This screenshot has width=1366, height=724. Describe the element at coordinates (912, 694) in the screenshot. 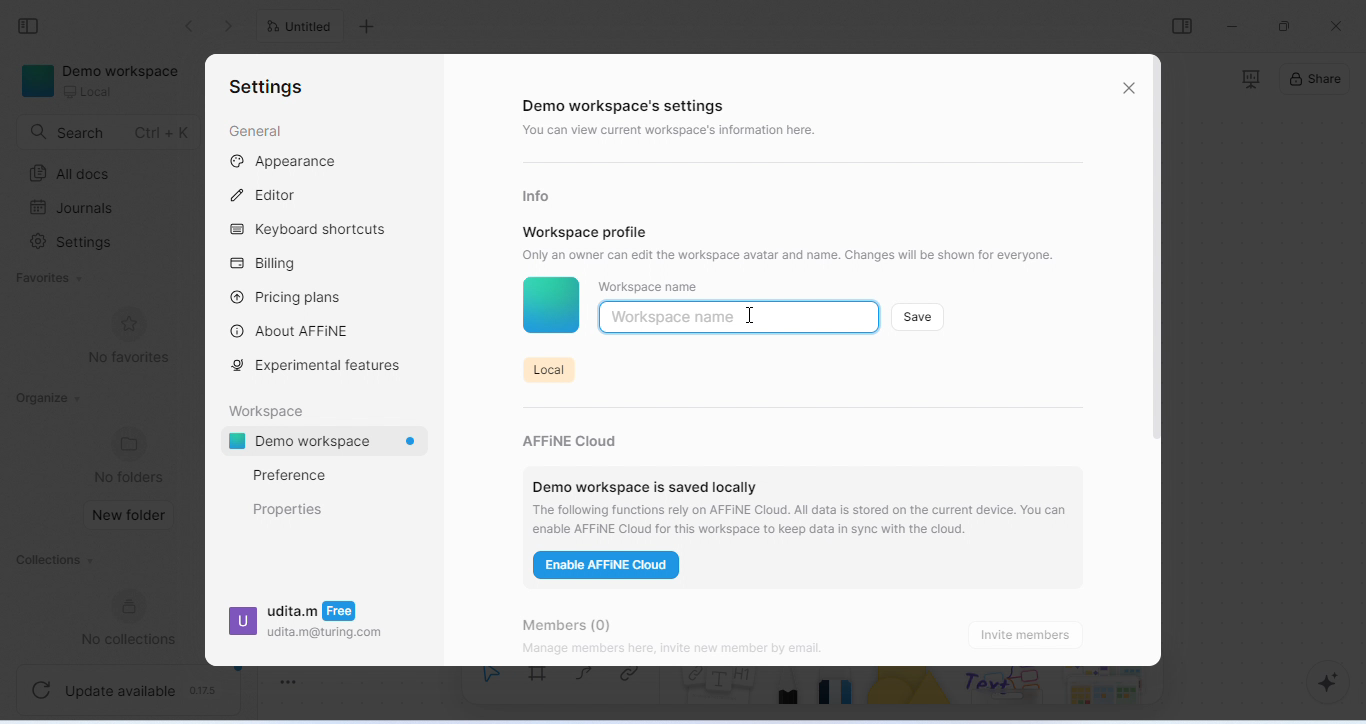

I see `shape` at that location.